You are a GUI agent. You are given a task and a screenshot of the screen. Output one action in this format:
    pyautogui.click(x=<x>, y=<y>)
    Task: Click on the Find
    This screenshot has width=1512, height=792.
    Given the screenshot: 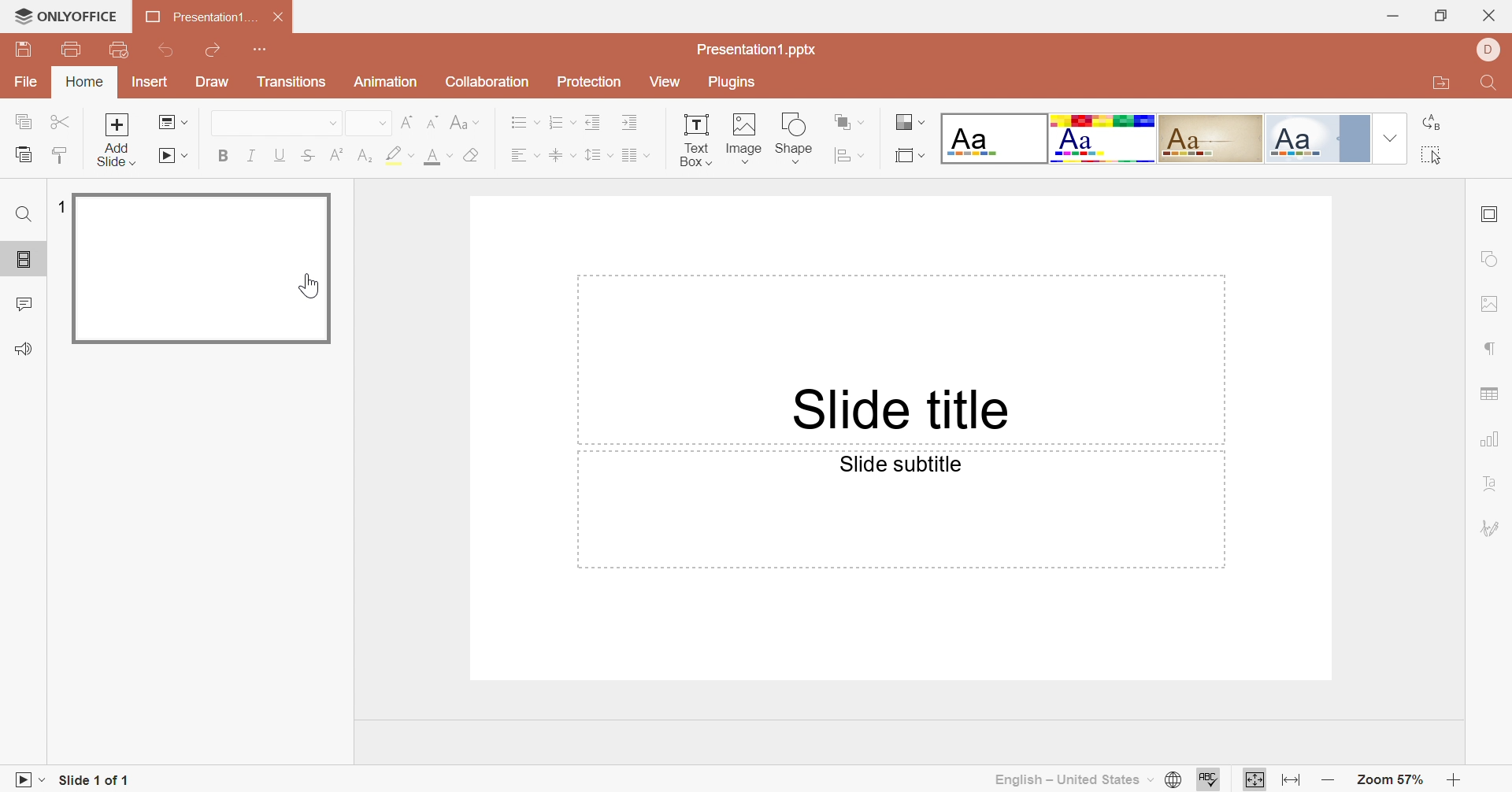 What is the action you would take?
    pyautogui.click(x=23, y=215)
    